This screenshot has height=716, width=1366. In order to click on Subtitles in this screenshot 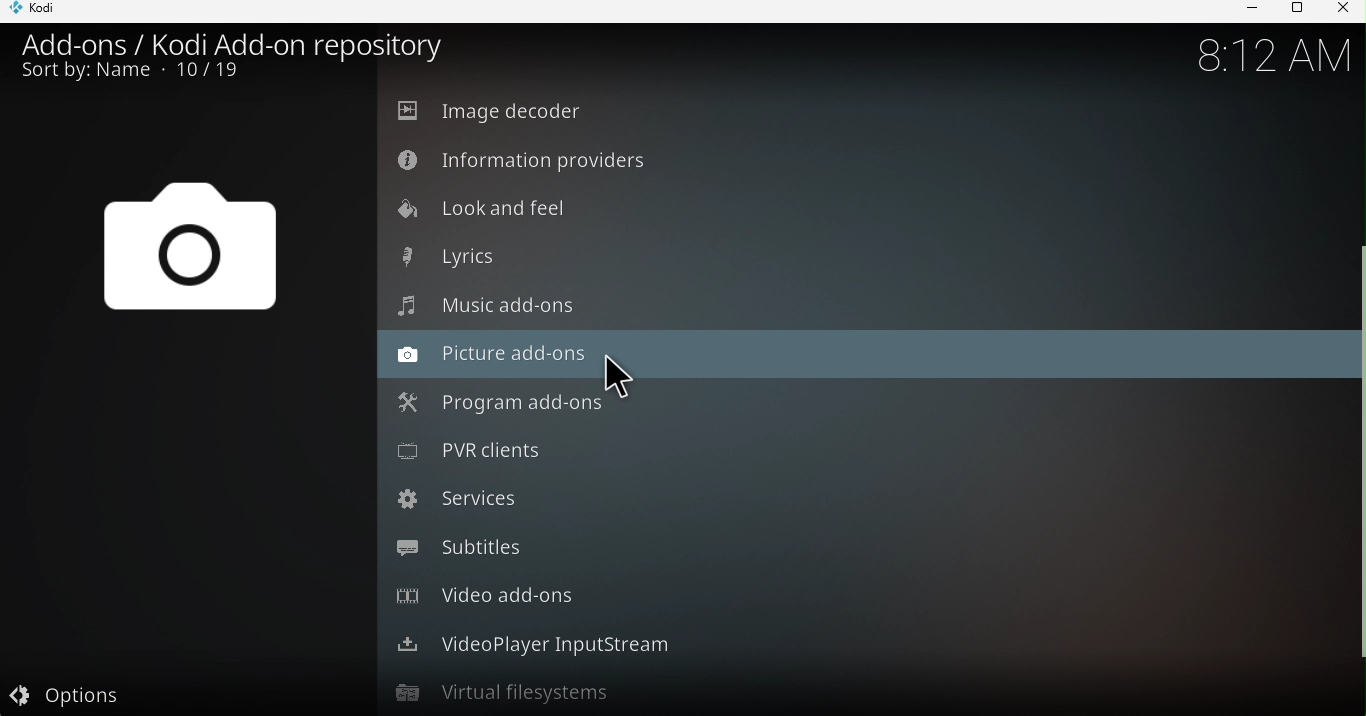, I will do `click(851, 550)`.